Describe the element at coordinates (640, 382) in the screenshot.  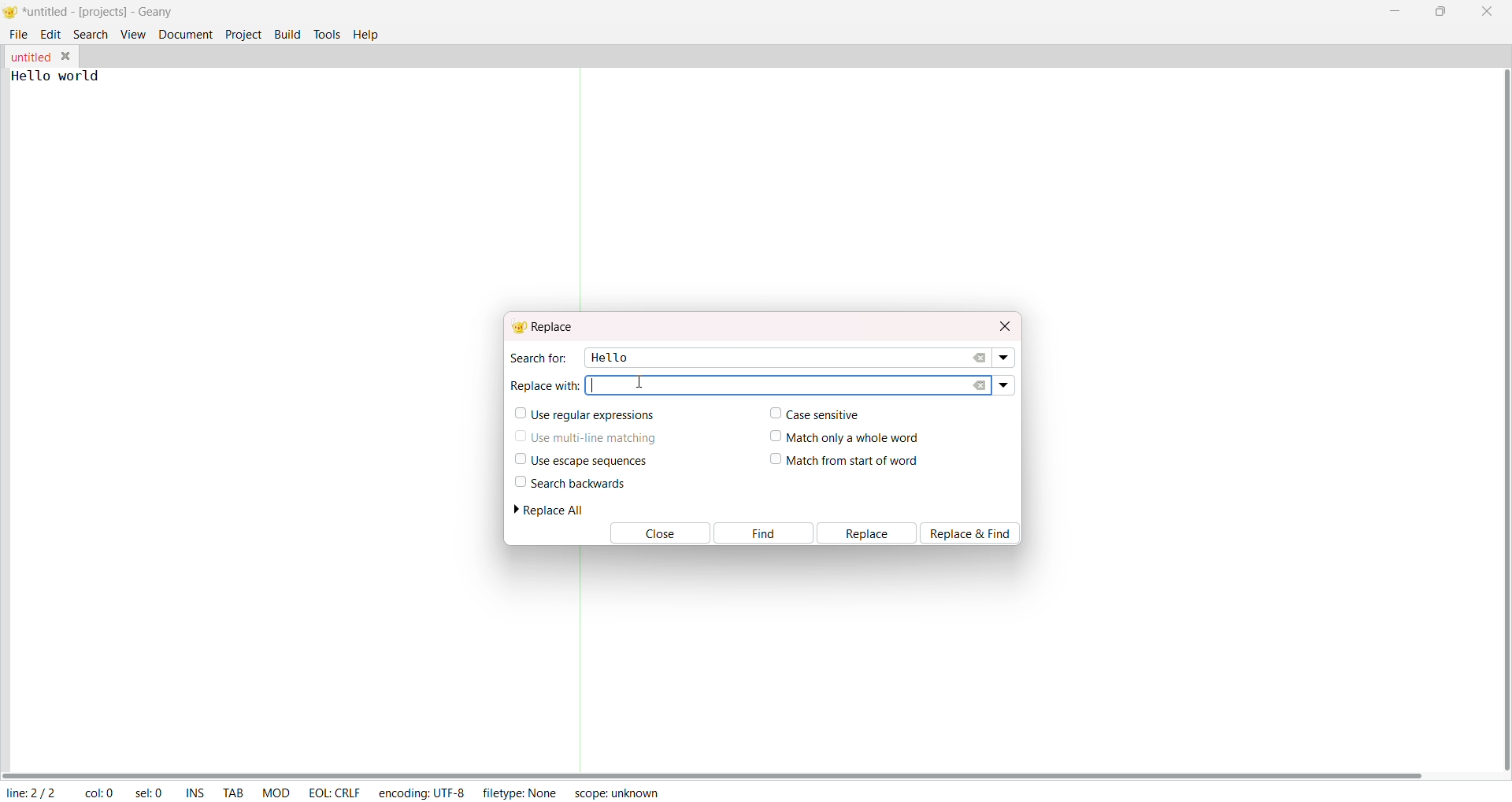
I see `cursor` at that location.